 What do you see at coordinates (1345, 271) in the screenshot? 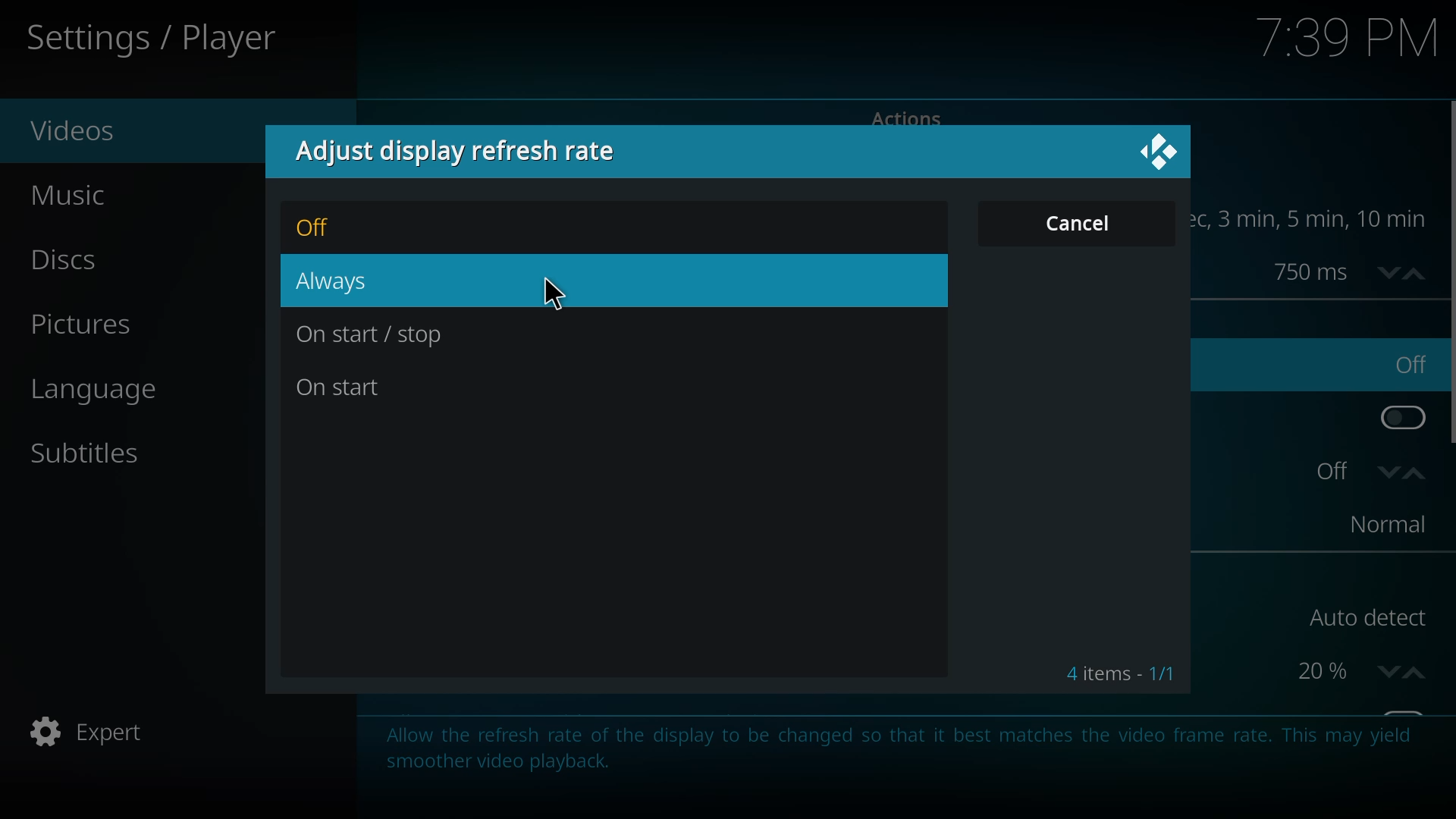
I see `delay select` at bounding box center [1345, 271].